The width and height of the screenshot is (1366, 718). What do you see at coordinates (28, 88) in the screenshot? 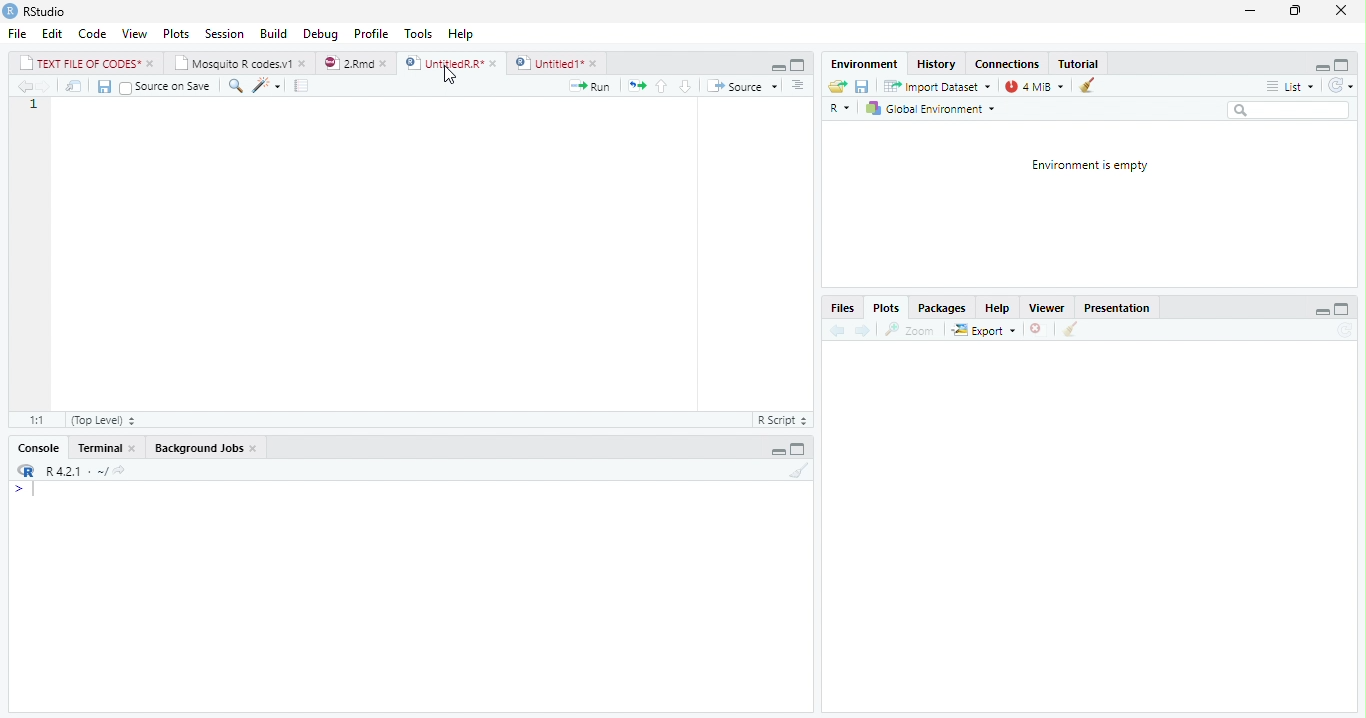
I see `go back to the previous source location` at bounding box center [28, 88].